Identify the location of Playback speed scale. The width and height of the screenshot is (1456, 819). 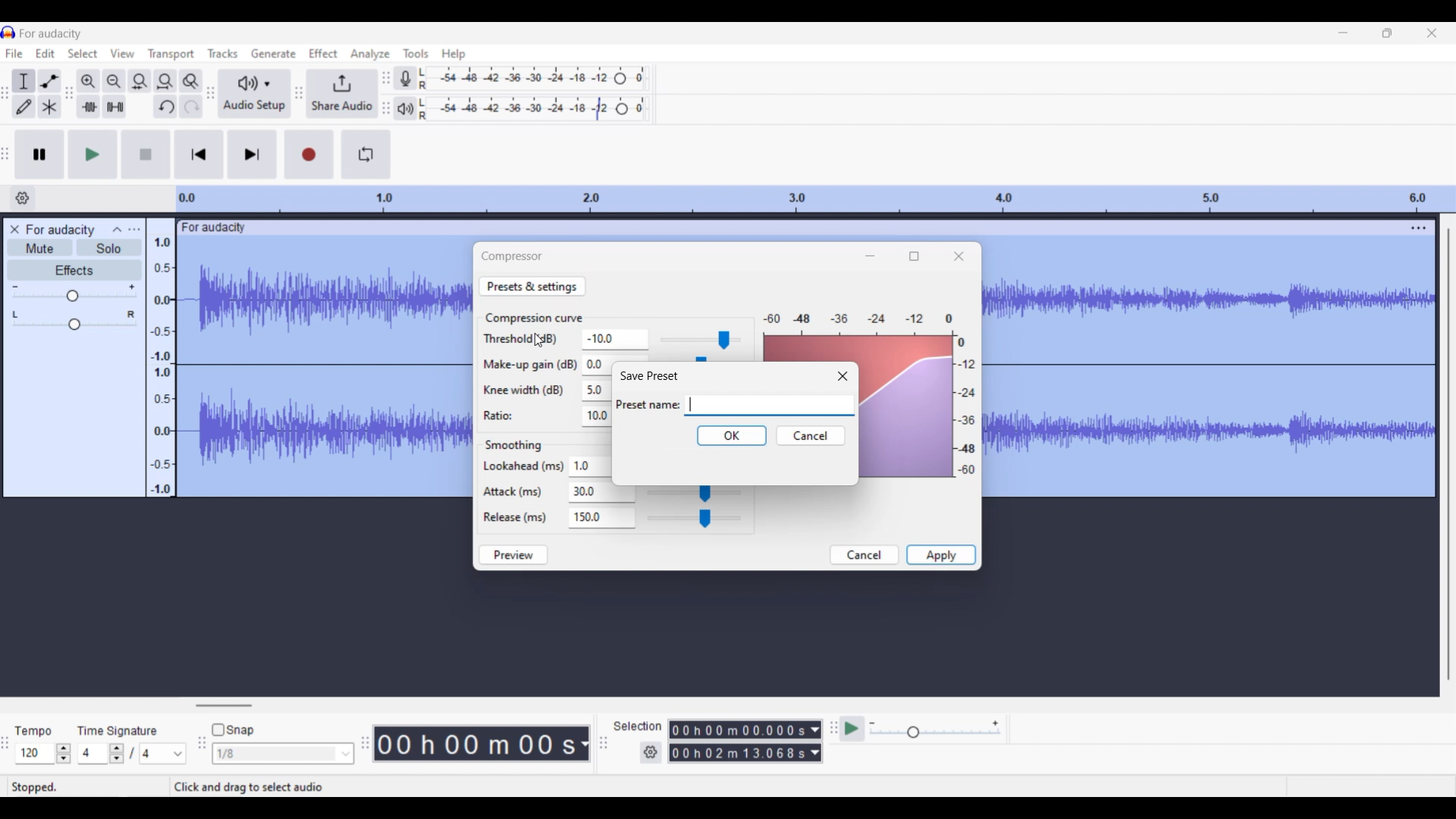
(934, 730).